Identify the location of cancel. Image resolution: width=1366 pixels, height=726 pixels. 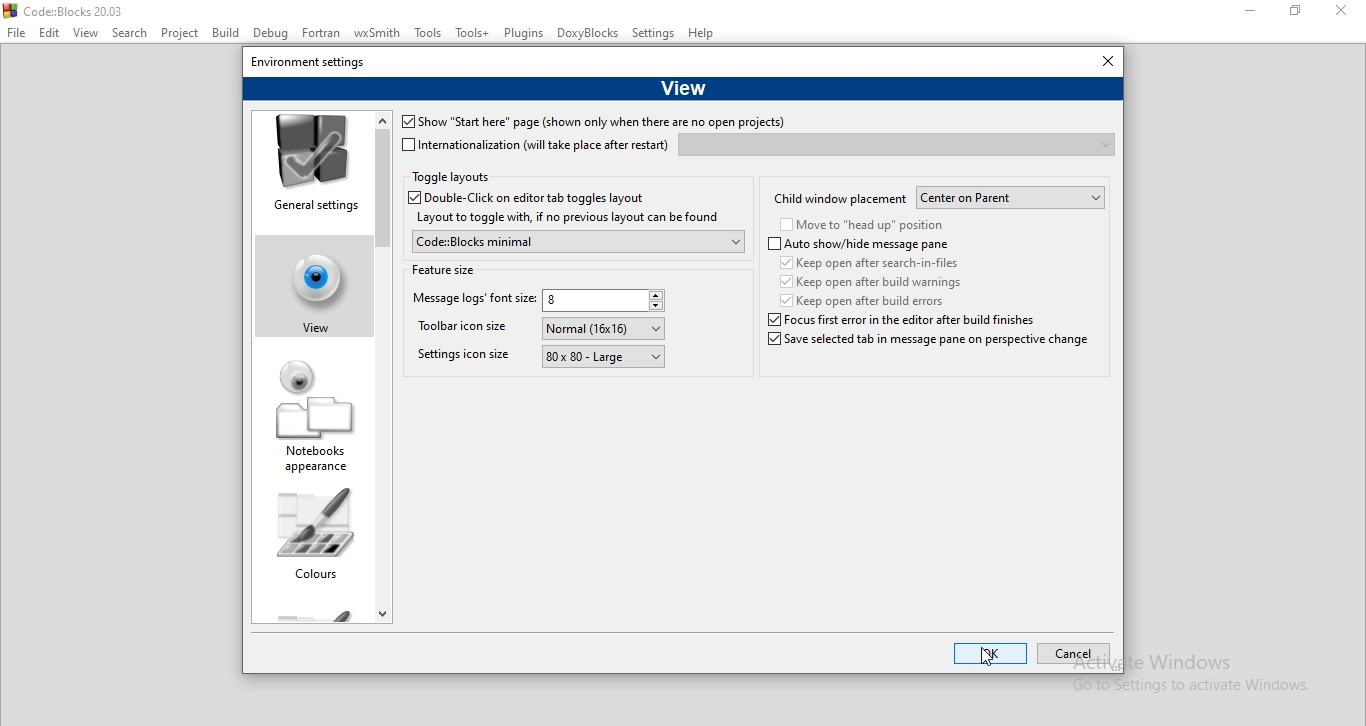
(1072, 655).